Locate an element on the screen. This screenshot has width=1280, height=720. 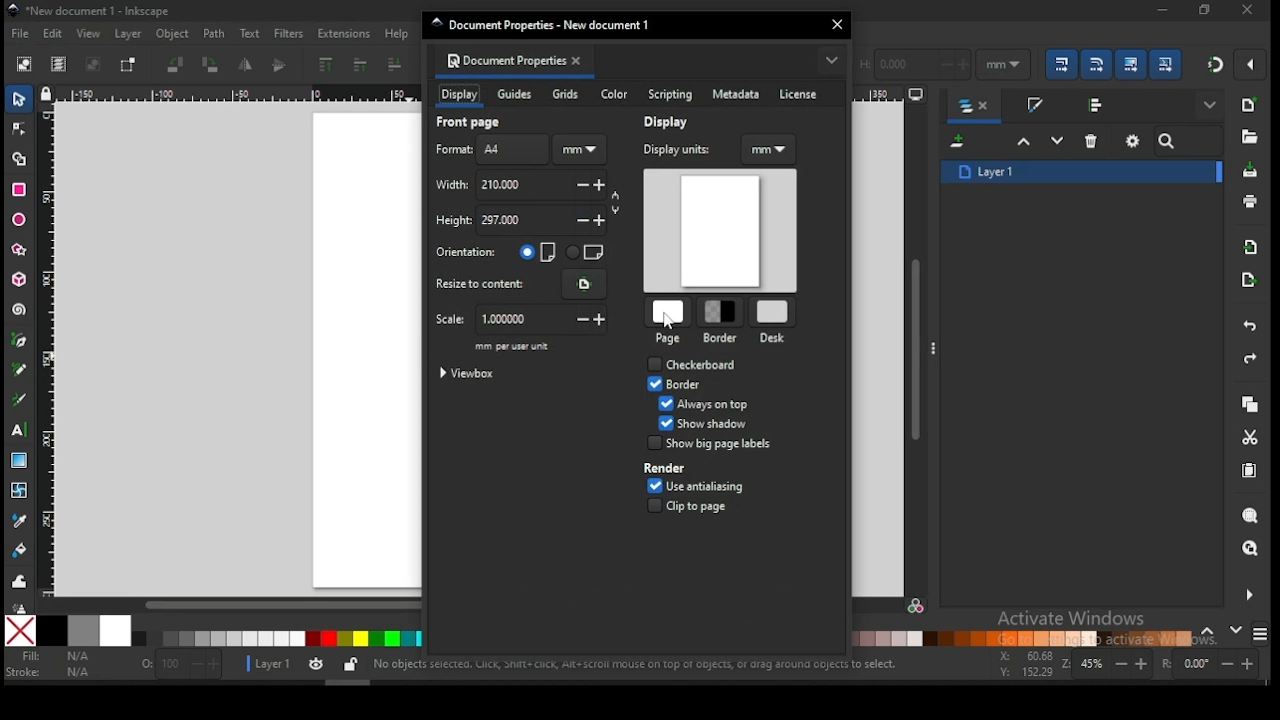
new layer is located at coordinates (960, 143).